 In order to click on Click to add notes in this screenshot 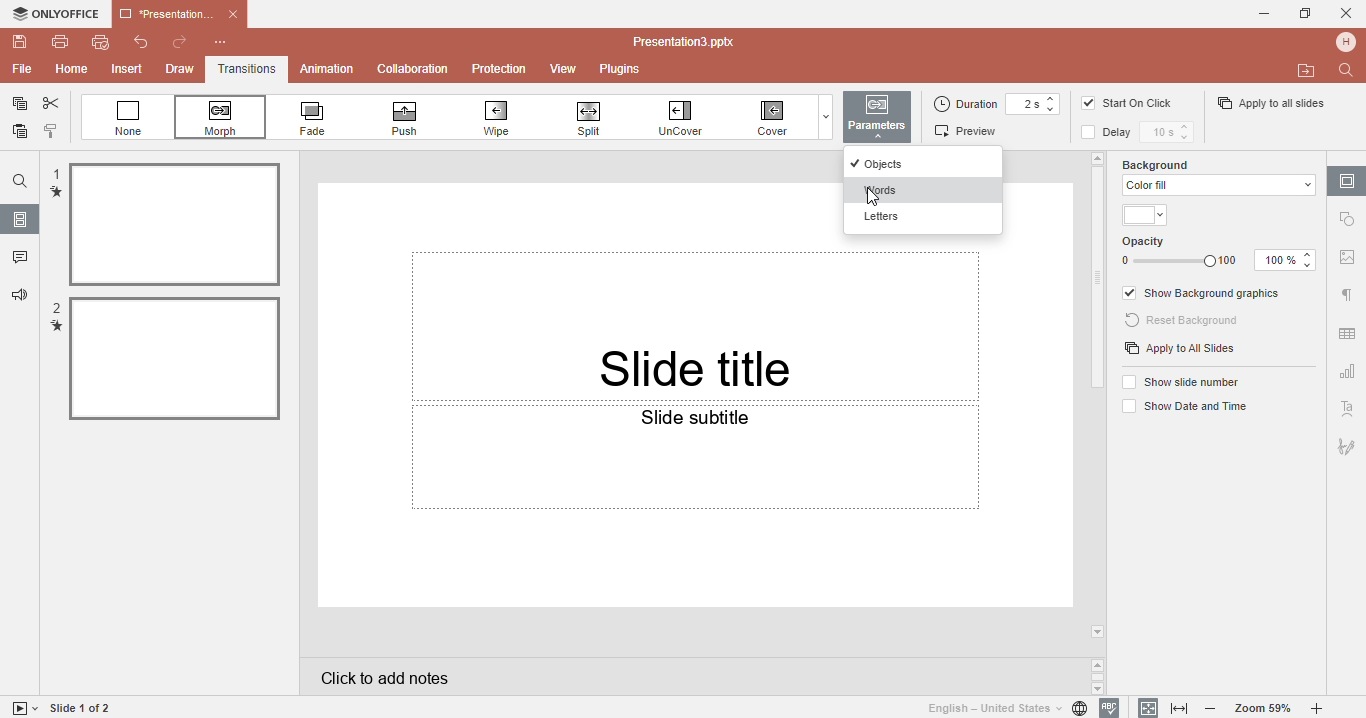, I will do `click(692, 676)`.